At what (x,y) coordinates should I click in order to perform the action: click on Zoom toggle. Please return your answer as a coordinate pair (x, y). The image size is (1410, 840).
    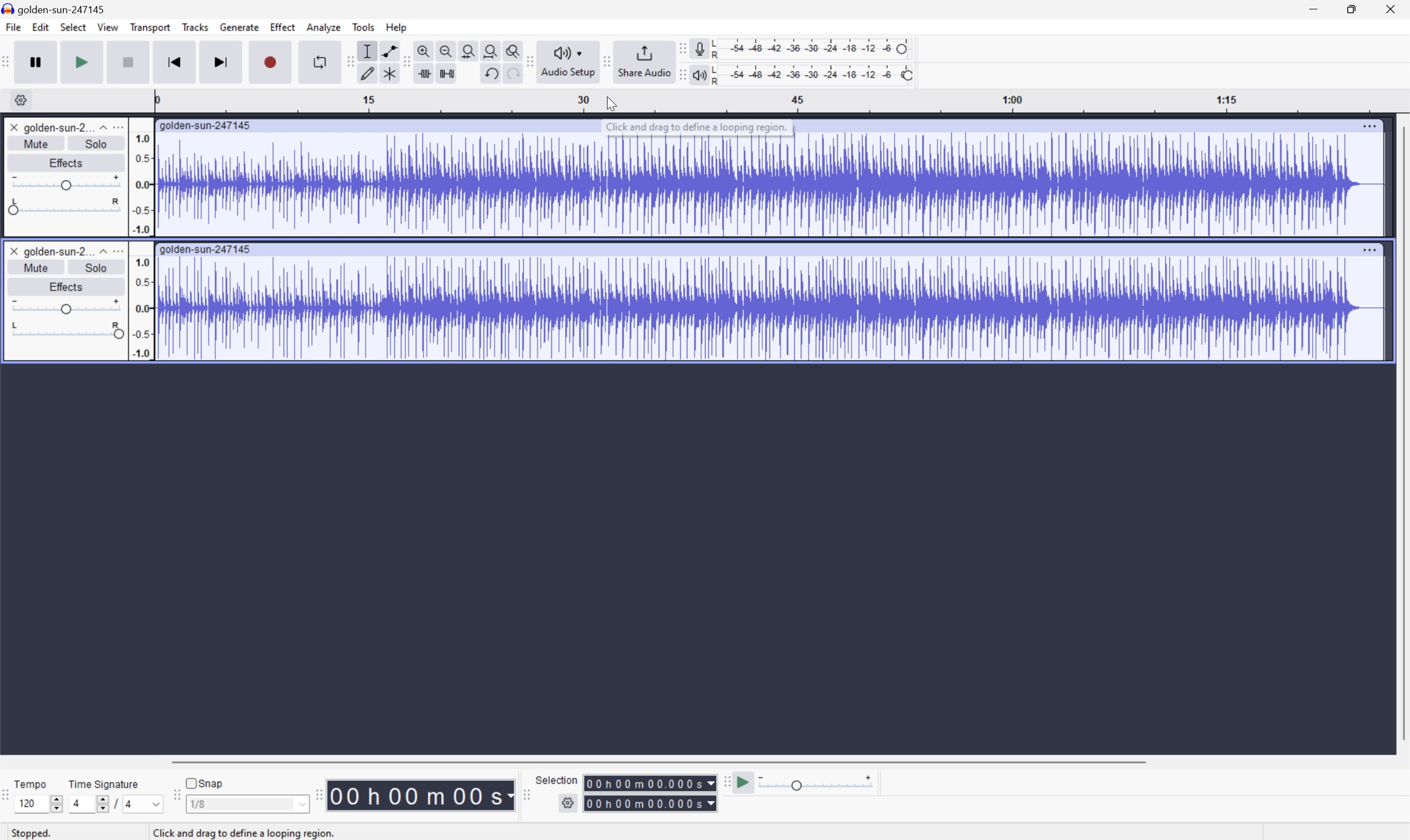
    Looking at the image, I should click on (511, 49).